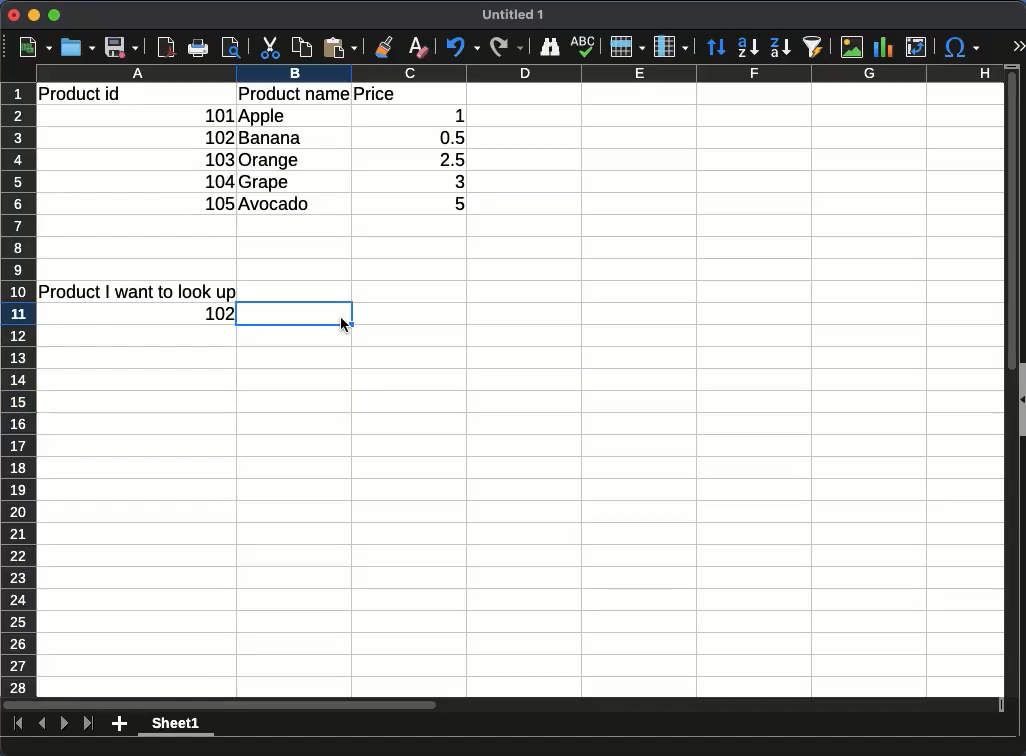 This screenshot has height=756, width=1026. Describe the element at coordinates (218, 159) in the screenshot. I see `103` at that location.